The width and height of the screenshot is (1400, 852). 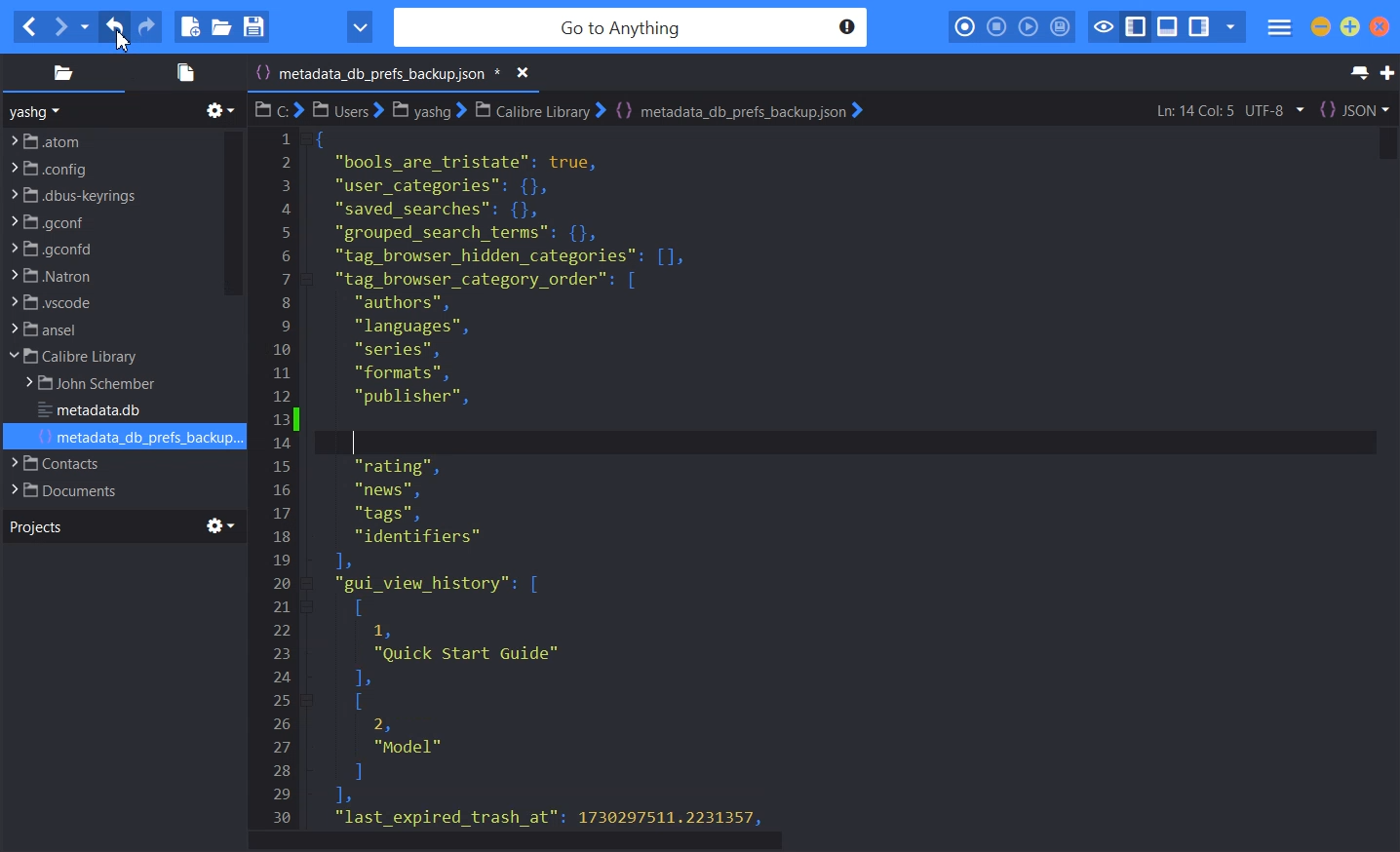 I want to click on Ln: 13 col:15 UTF-8, so click(x=1228, y=110).